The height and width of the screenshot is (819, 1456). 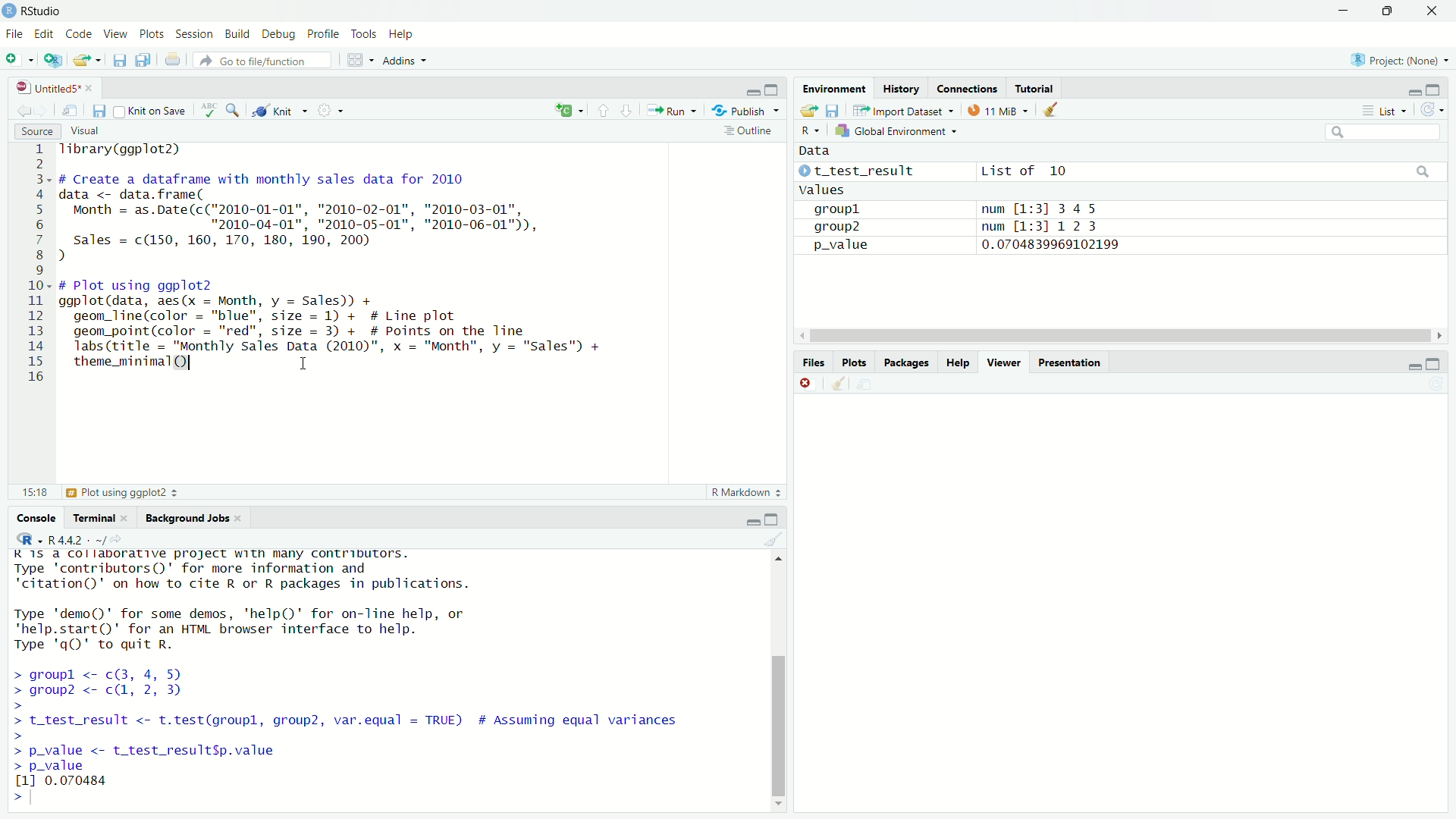 What do you see at coordinates (1071, 361) in the screenshot?
I see `Presentation` at bounding box center [1071, 361].